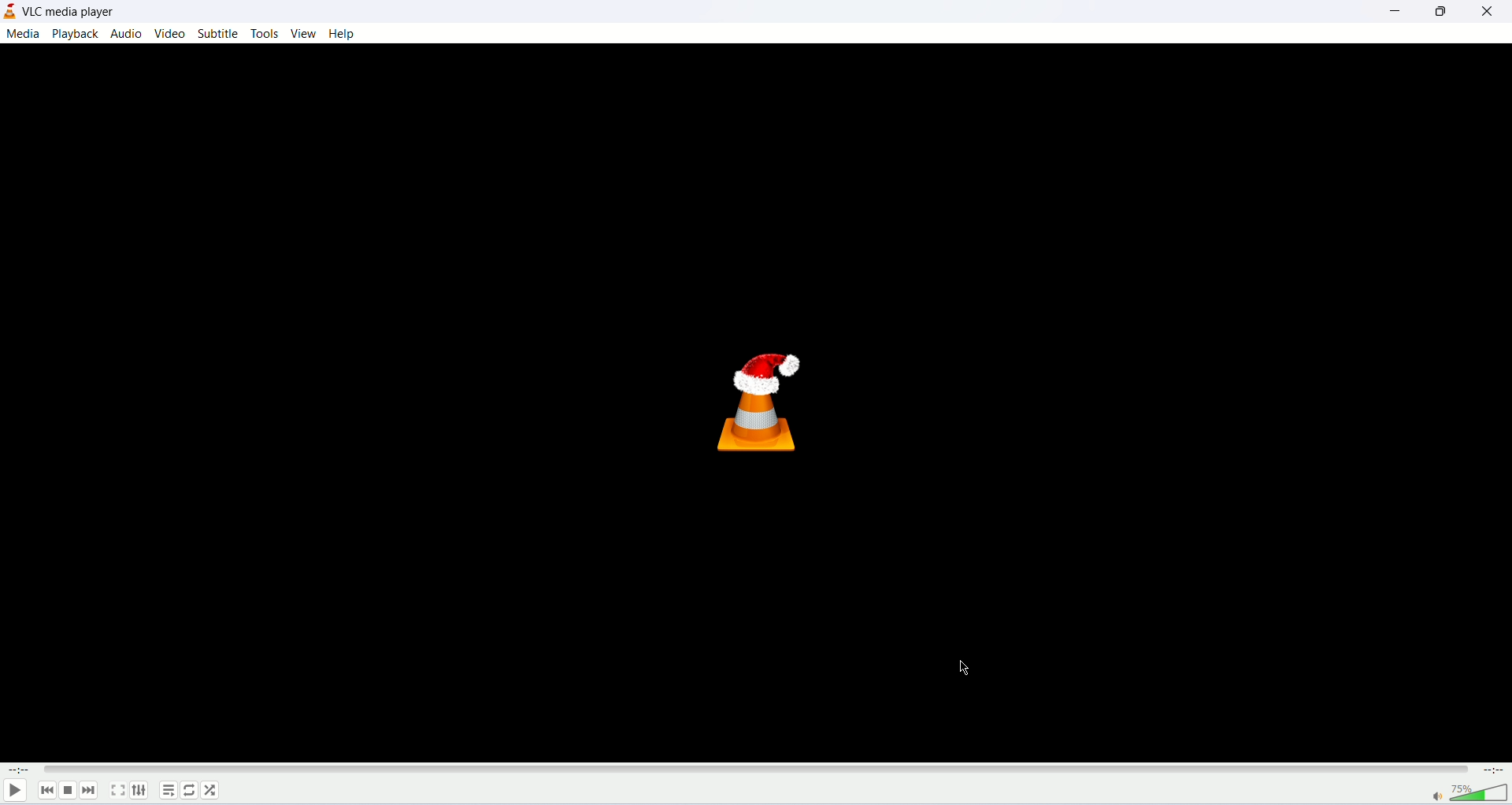  I want to click on progress bar, so click(758, 771).